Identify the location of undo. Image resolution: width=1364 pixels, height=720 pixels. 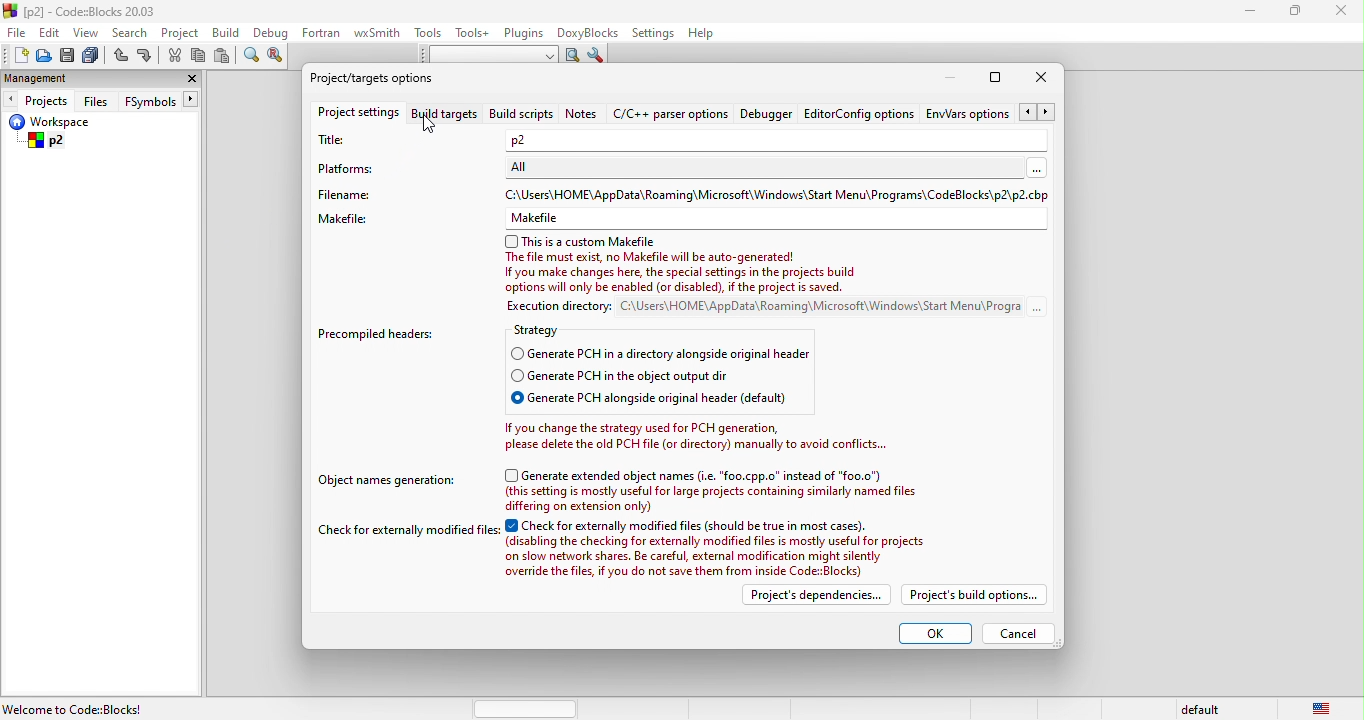
(120, 57).